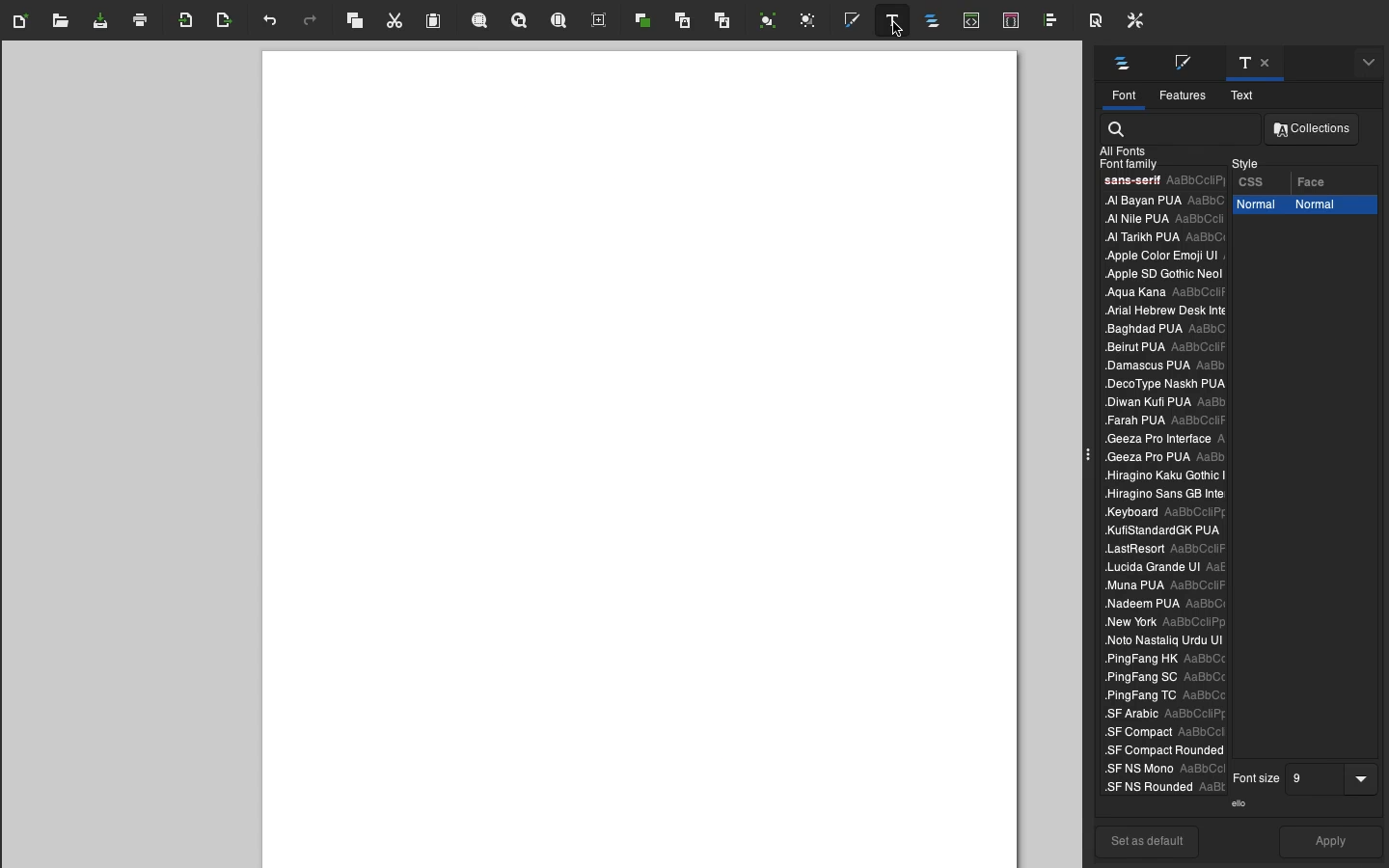 This screenshot has height=868, width=1389. What do you see at coordinates (1249, 95) in the screenshot?
I see `Text` at bounding box center [1249, 95].